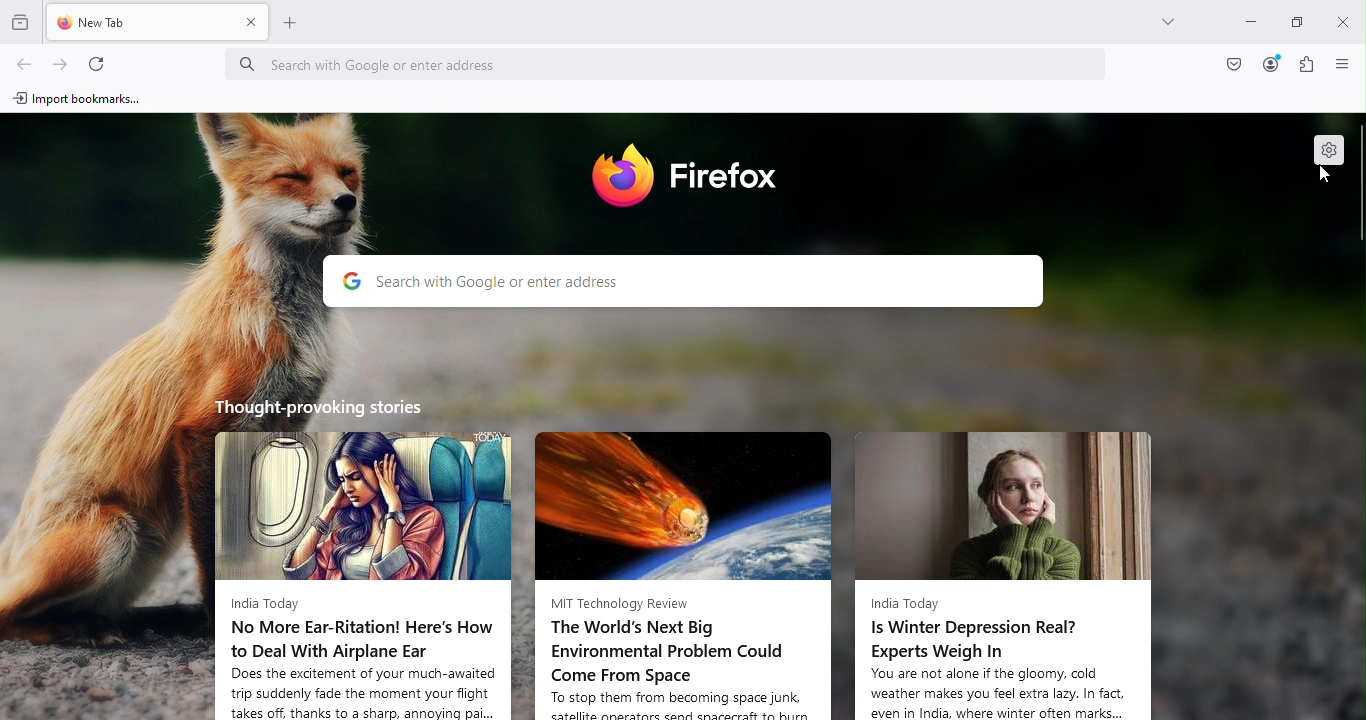 This screenshot has width=1366, height=720. Describe the element at coordinates (1357, 415) in the screenshot. I see `Scroll bar` at that location.